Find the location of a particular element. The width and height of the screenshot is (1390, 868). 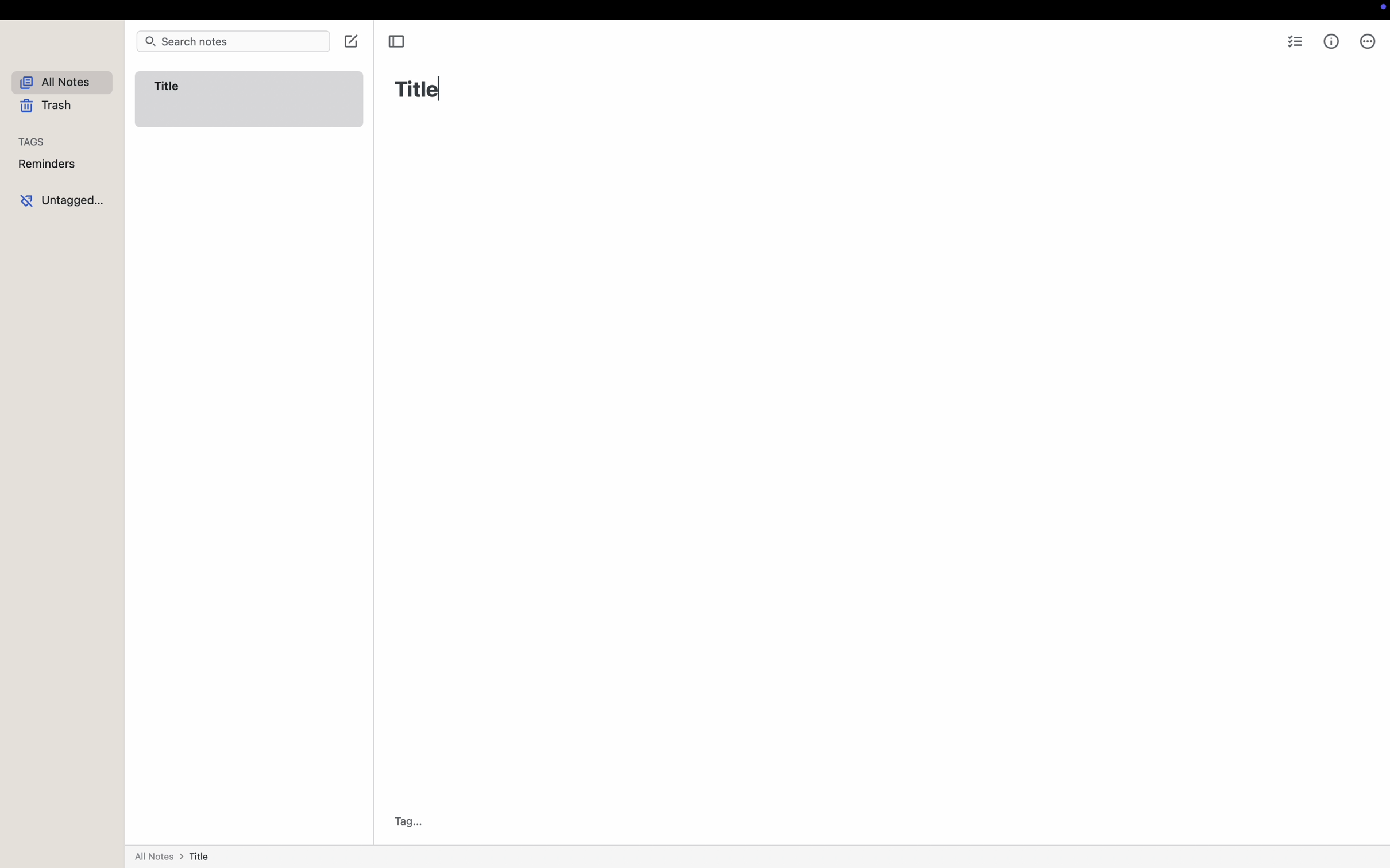

metrics is located at coordinates (1332, 43).